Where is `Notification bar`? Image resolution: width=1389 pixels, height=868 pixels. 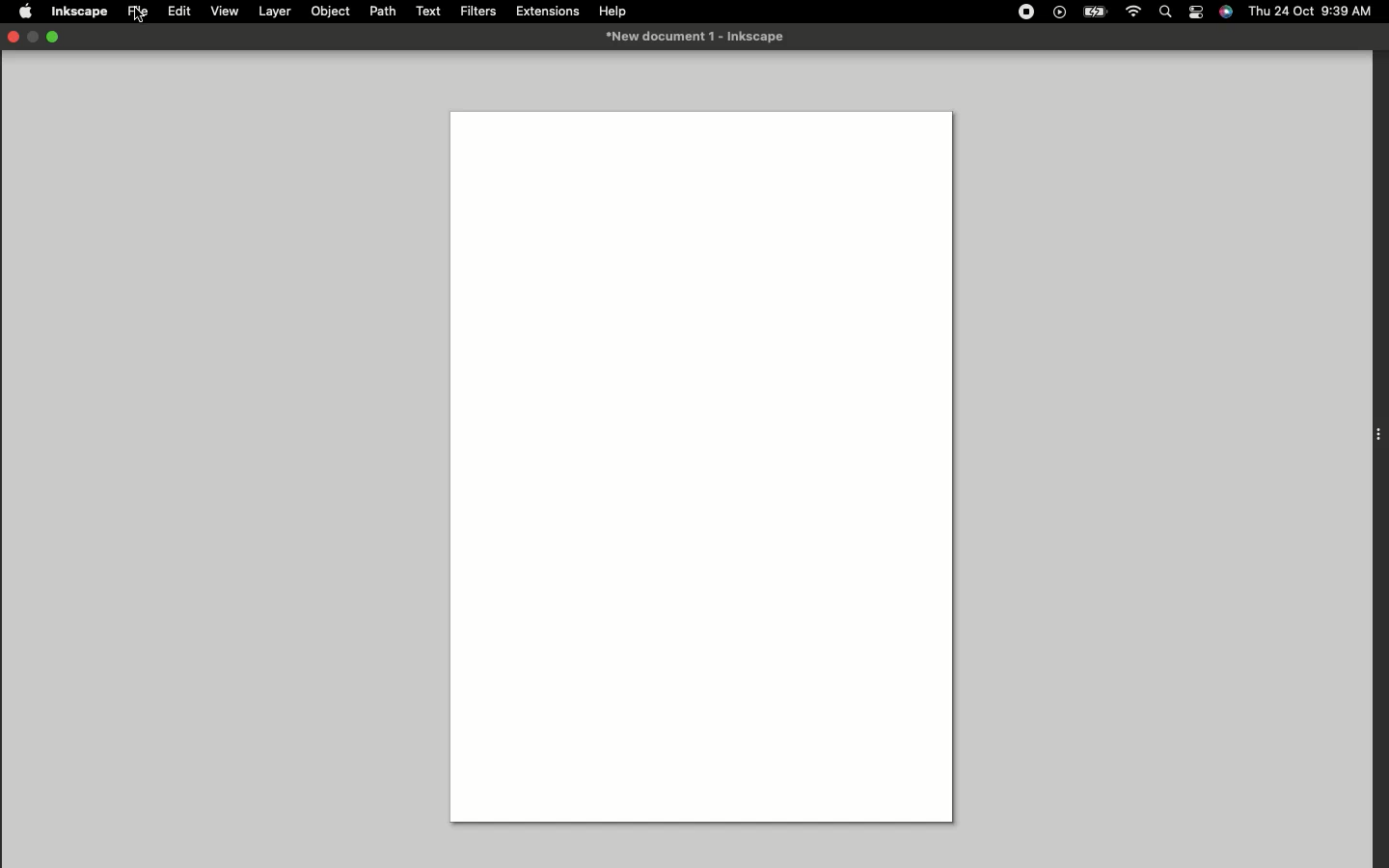
Notification bar is located at coordinates (1198, 13).